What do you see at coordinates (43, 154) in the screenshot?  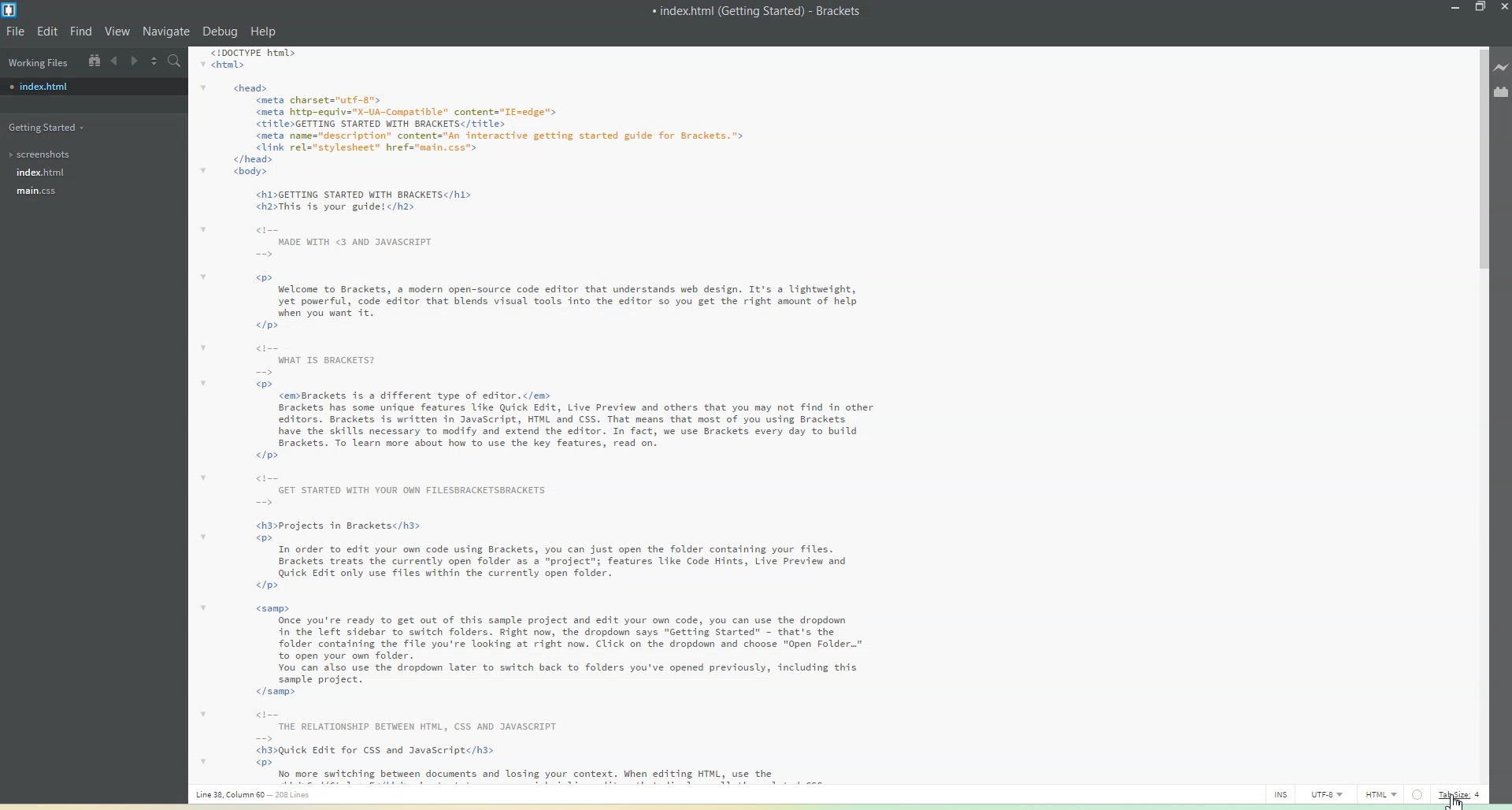 I see `Screenshot` at bounding box center [43, 154].